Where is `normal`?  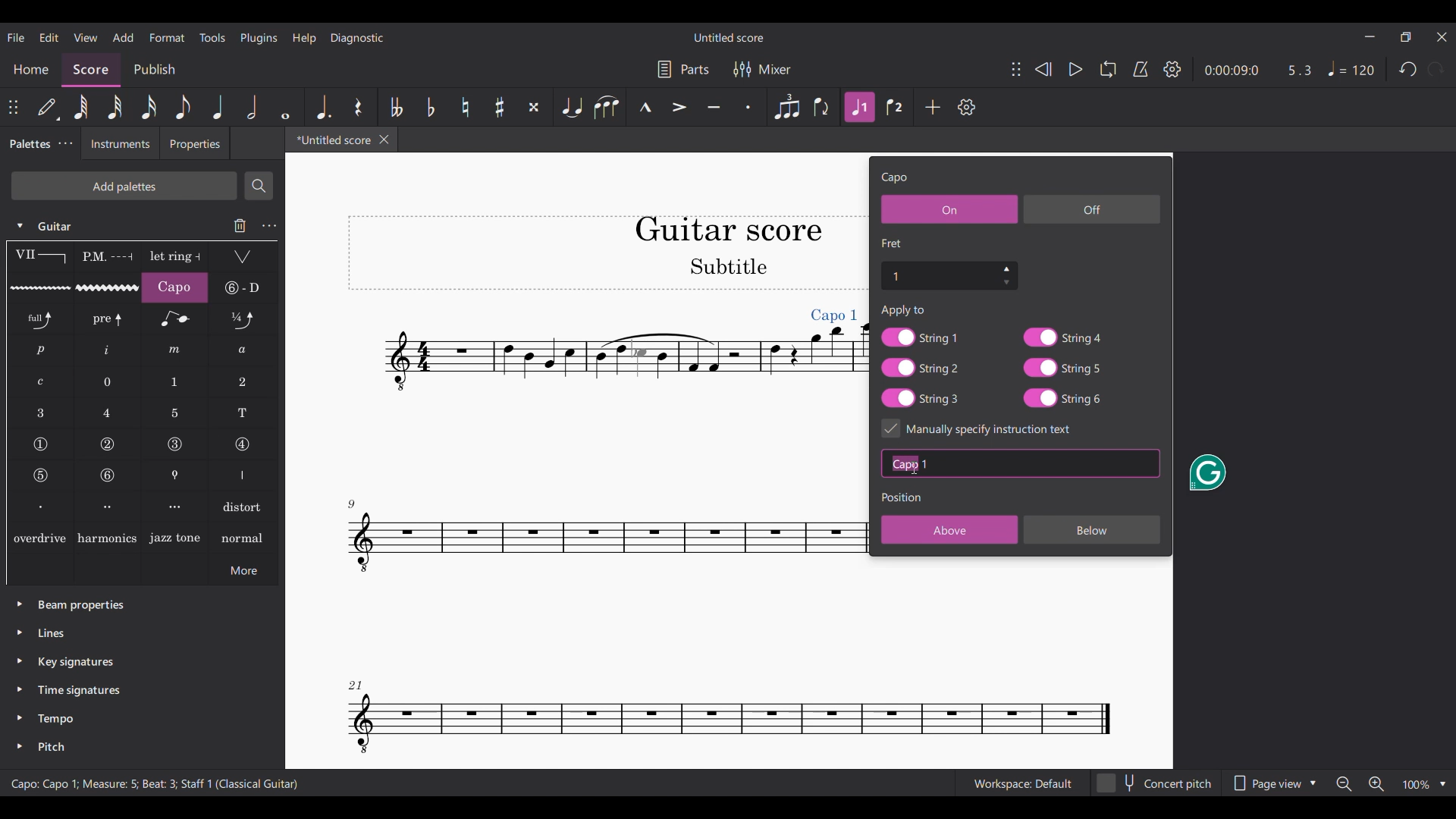 normal is located at coordinates (243, 537).